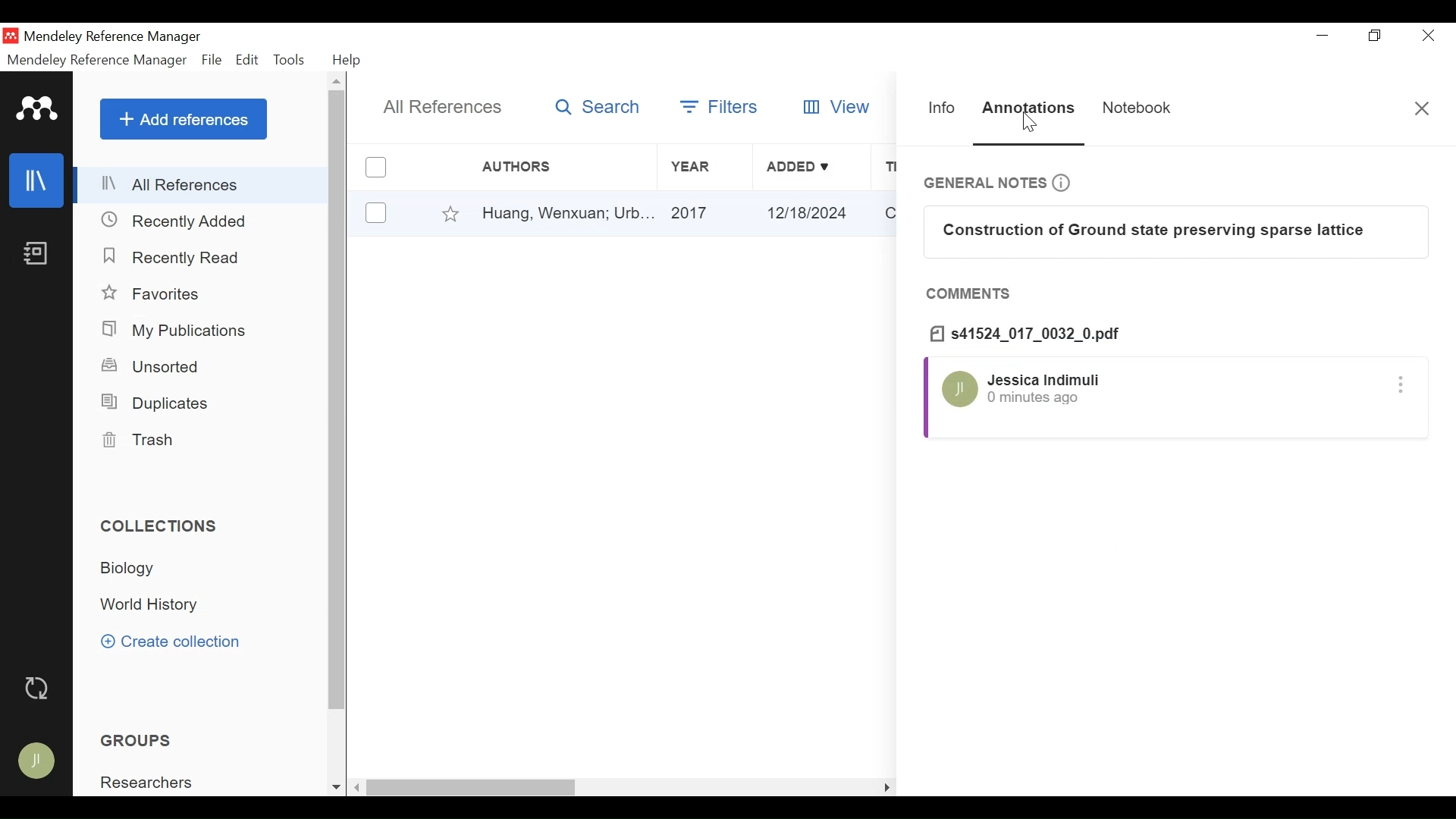 Image resolution: width=1456 pixels, height=819 pixels. I want to click on 0 minutes ago, so click(1035, 398).